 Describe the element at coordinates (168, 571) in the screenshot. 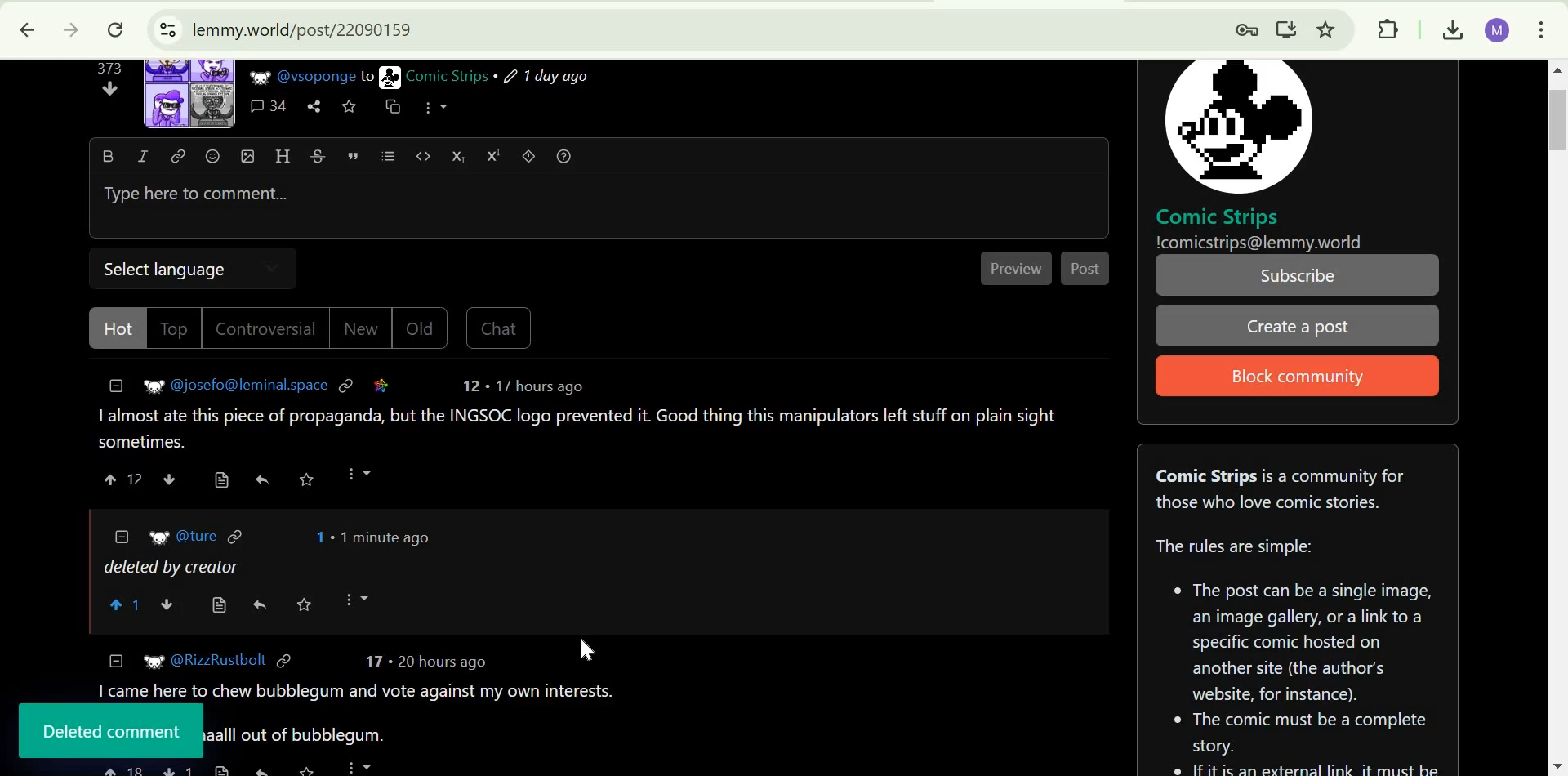

I see `deleted by creator` at that location.